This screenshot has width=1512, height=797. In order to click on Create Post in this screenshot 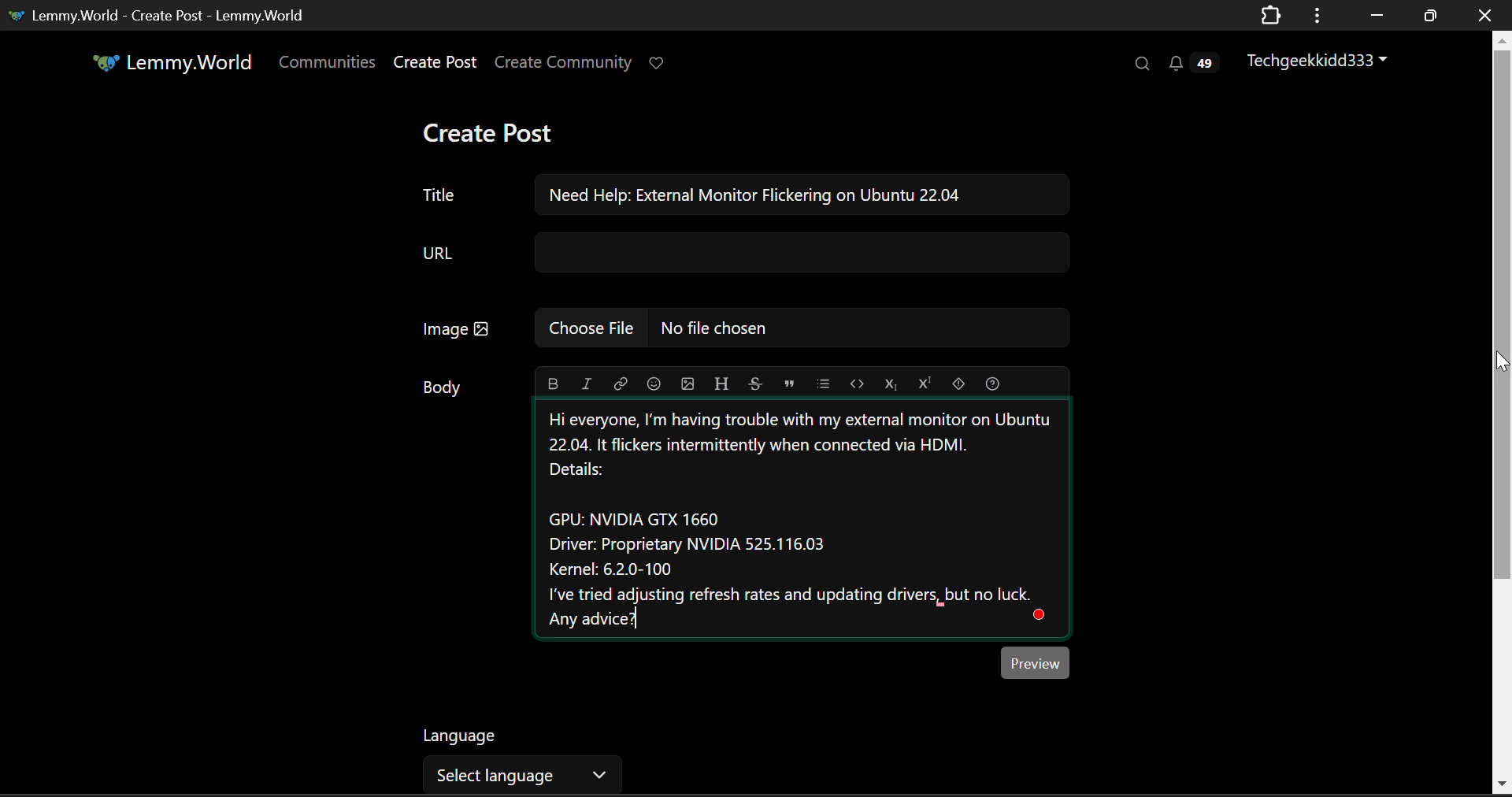, I will do `click(492, 129)`.